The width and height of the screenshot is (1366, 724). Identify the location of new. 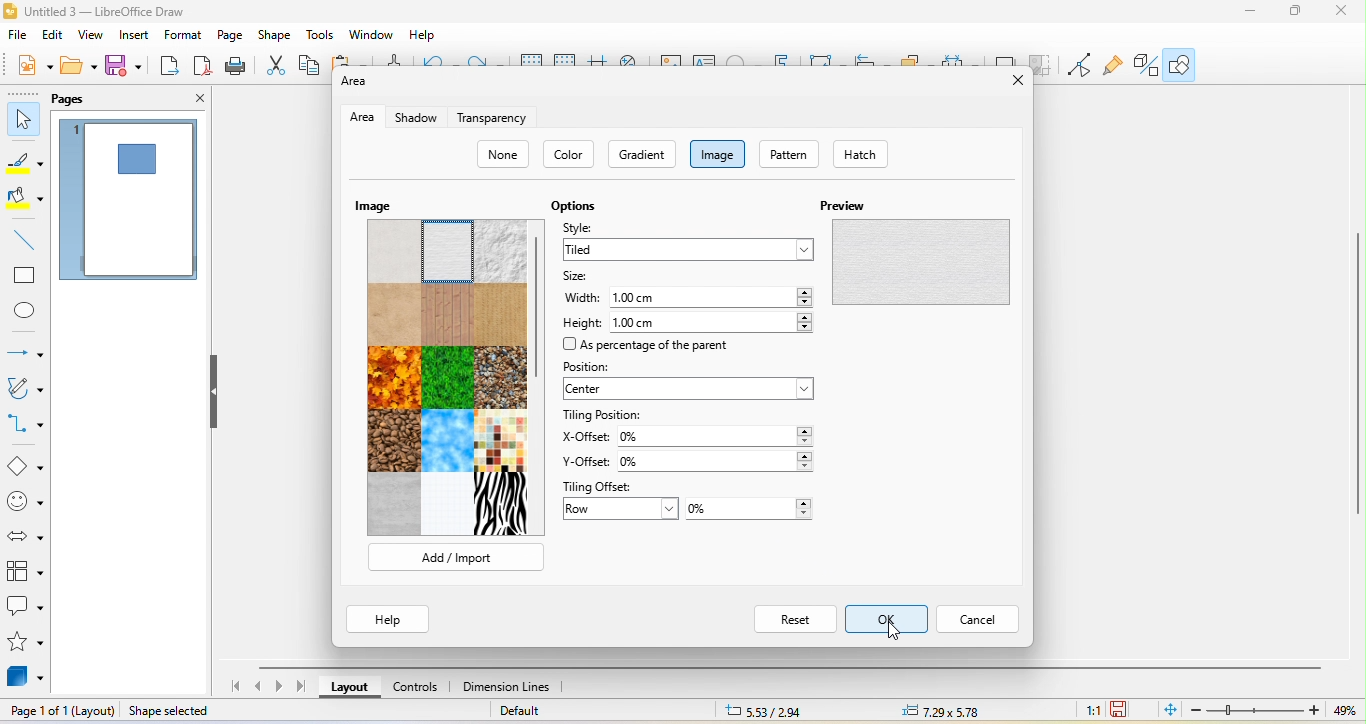
(28, 67).